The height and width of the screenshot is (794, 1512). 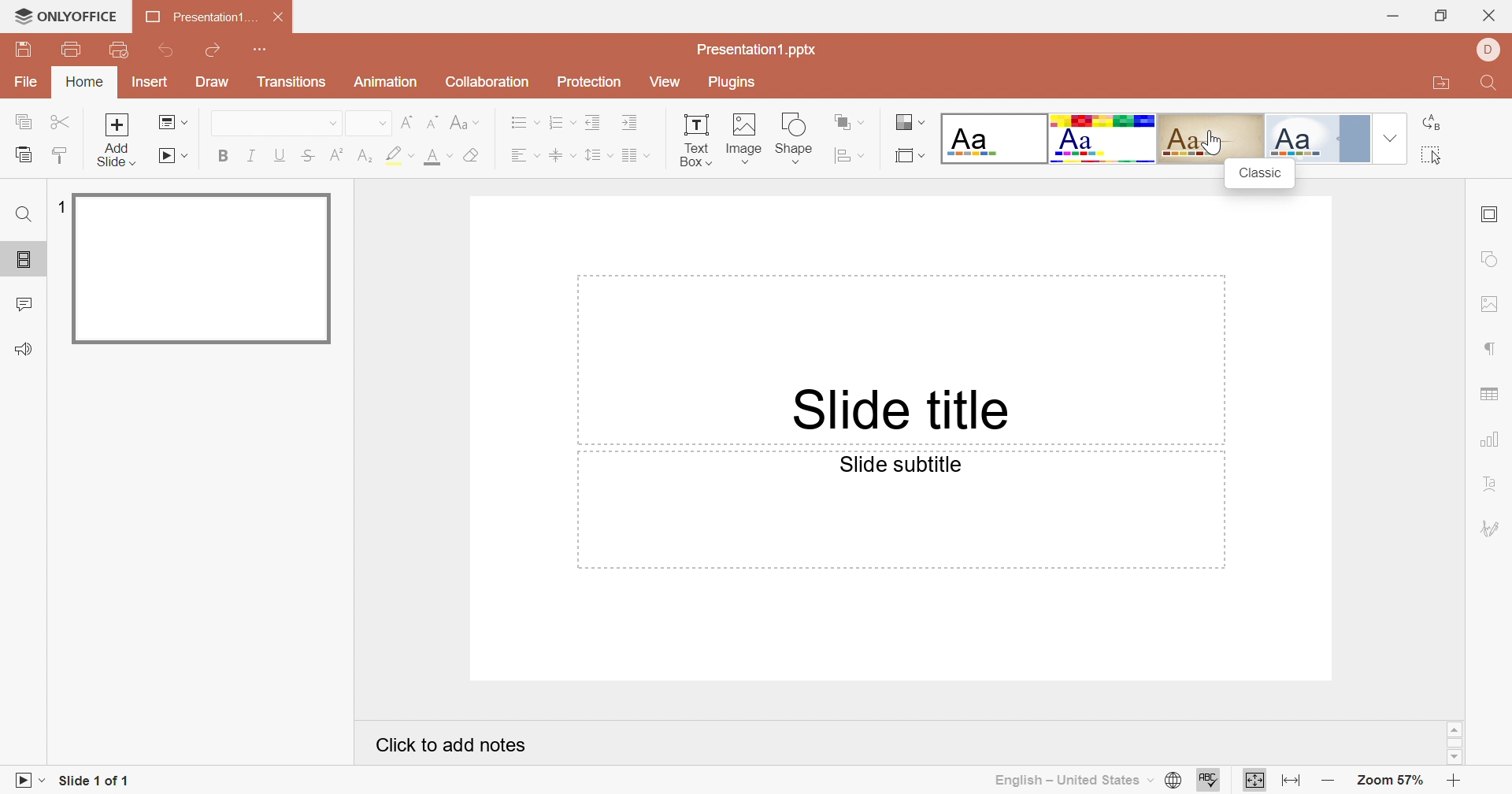 What do you see at coordinates (1104, 136) in the screenshot?
I see `Basic` at bounding box center [1104, 136].